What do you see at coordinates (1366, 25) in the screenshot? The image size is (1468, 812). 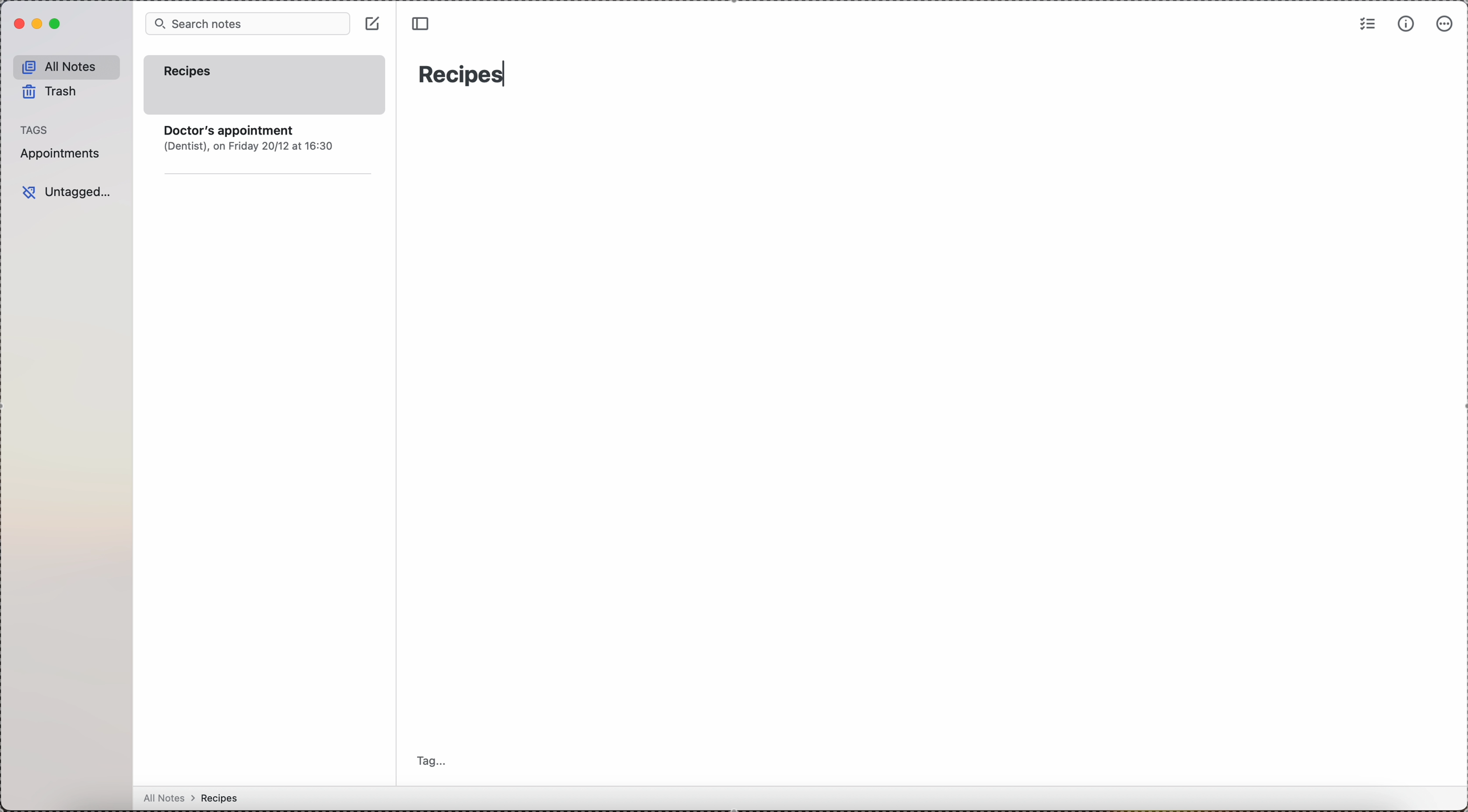 I see `check list` at bounding box center [1366, 25].